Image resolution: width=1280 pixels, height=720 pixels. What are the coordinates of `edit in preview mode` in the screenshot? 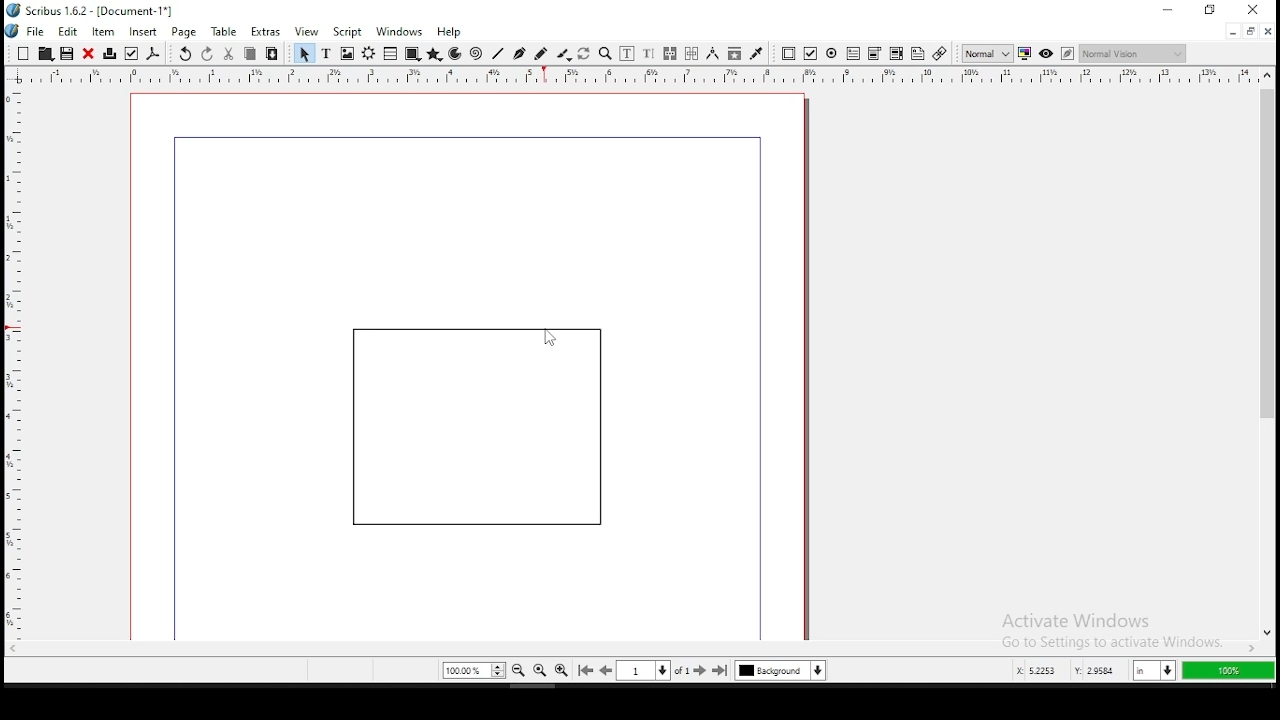 It's located at (1067, 53).